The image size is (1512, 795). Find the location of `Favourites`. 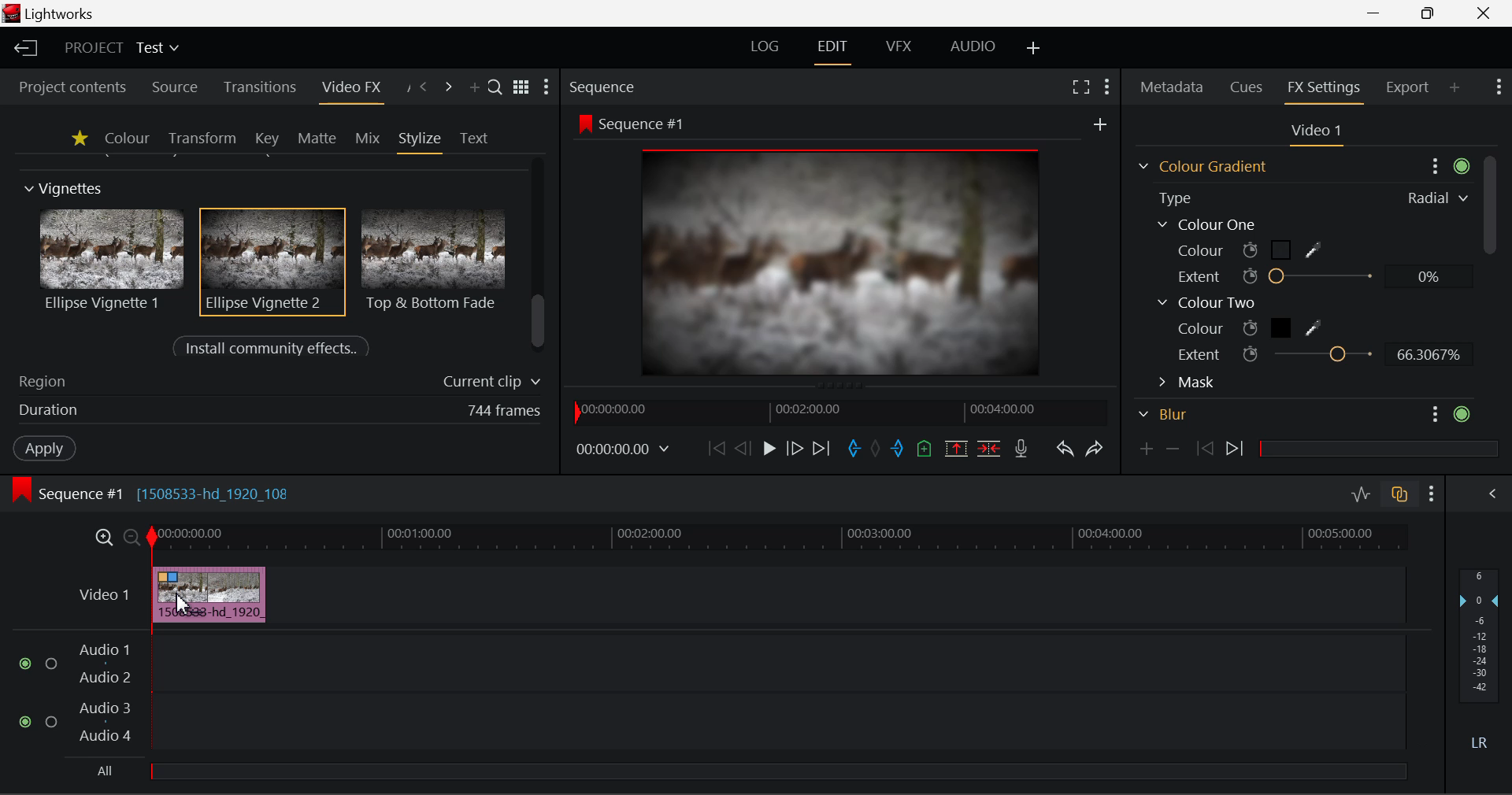

Favourites is located at coordinates (77, 138).